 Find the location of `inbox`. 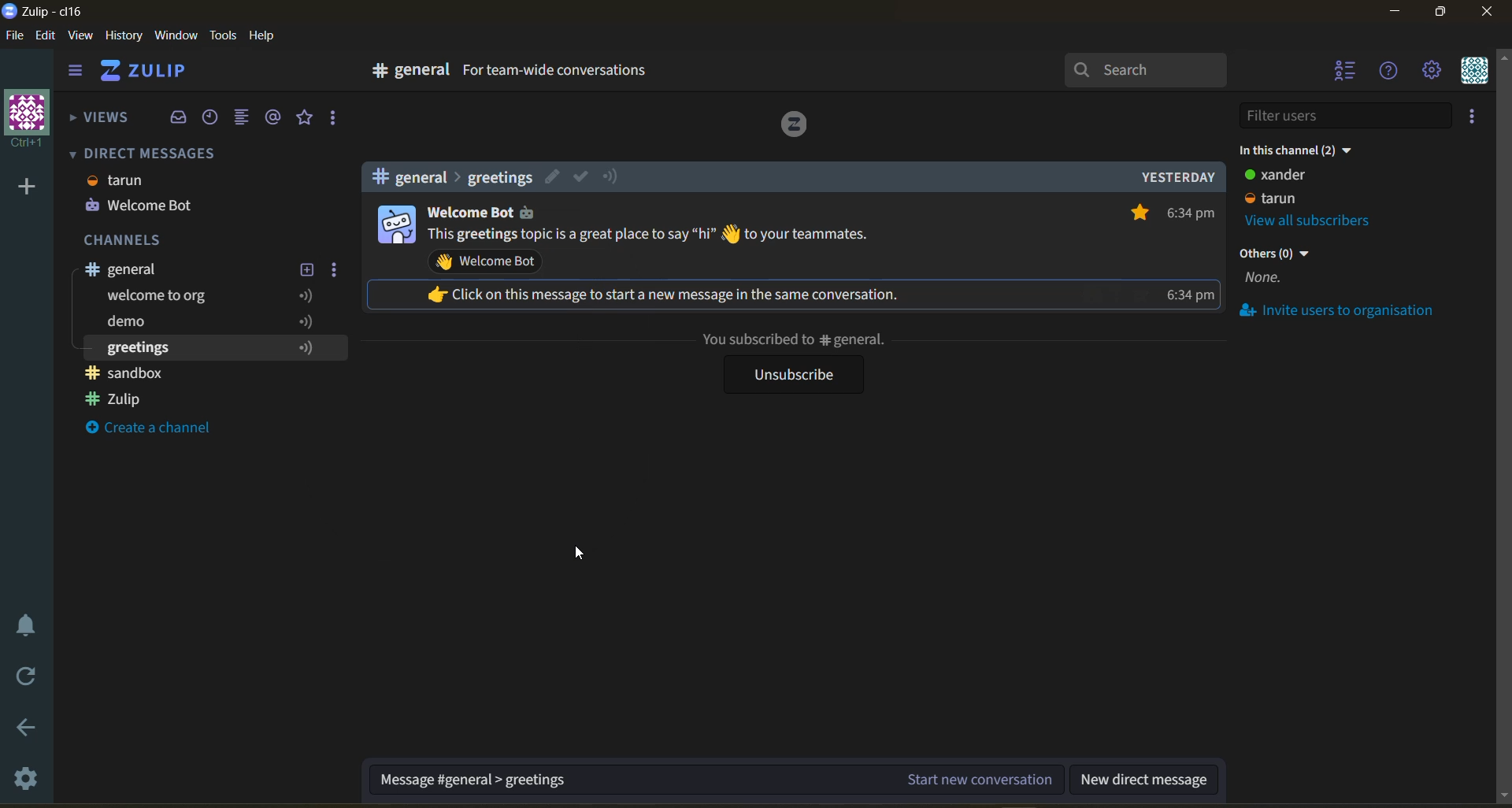

inbox is located at coordinates (179, 119).